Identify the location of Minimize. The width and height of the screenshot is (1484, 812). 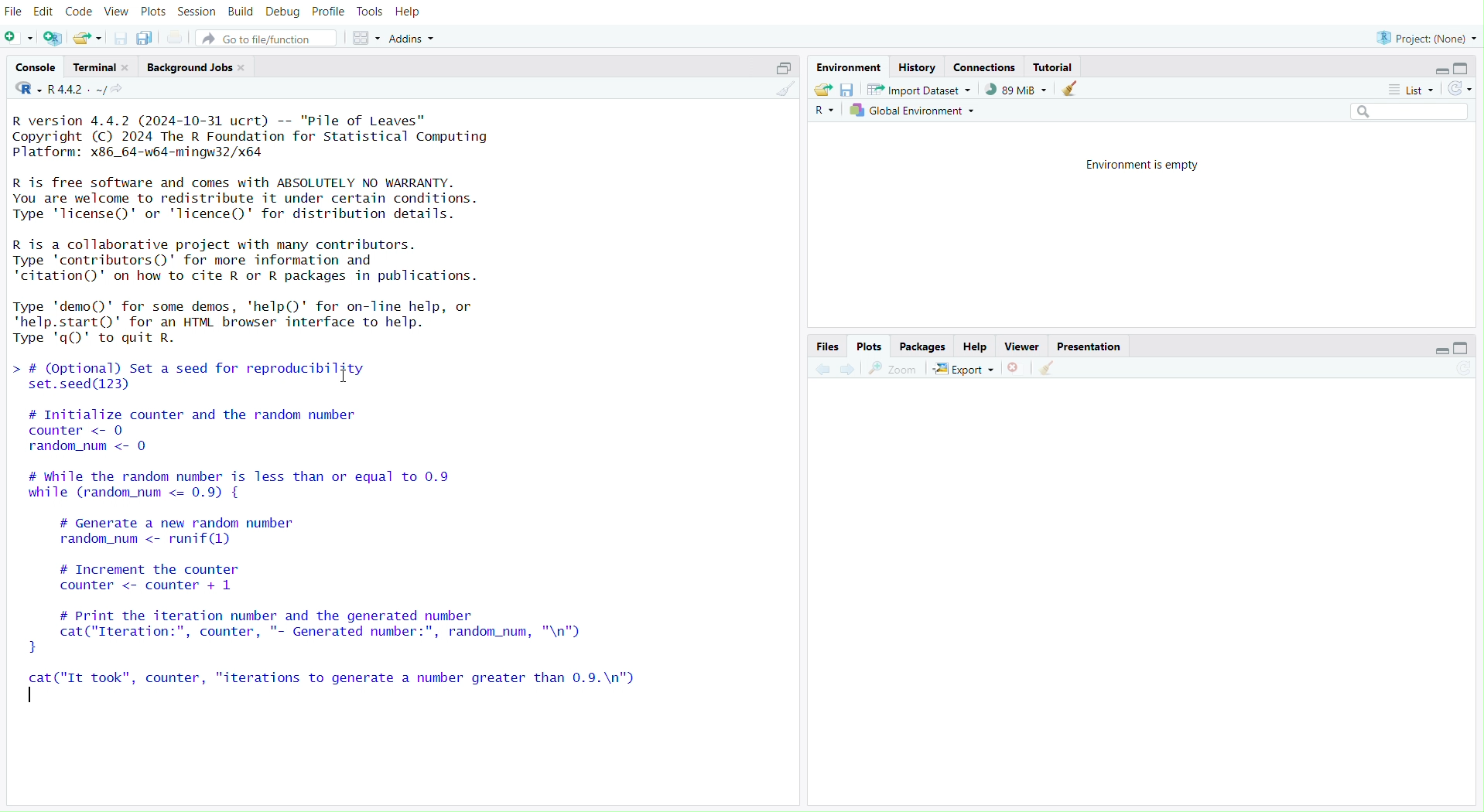
(1440, 70).